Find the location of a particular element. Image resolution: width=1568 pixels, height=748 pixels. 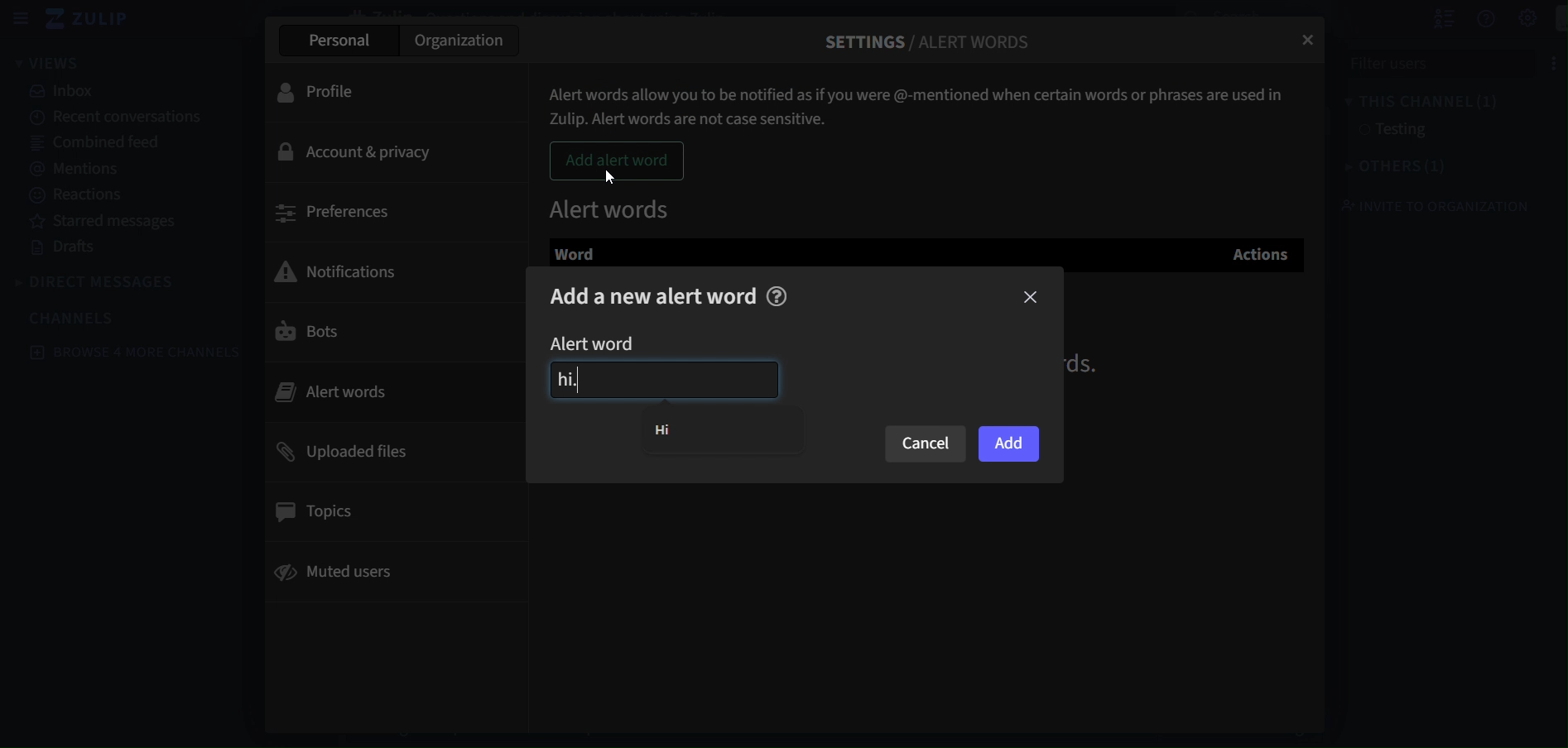

hide user list is located at coordinates (1426, 18).